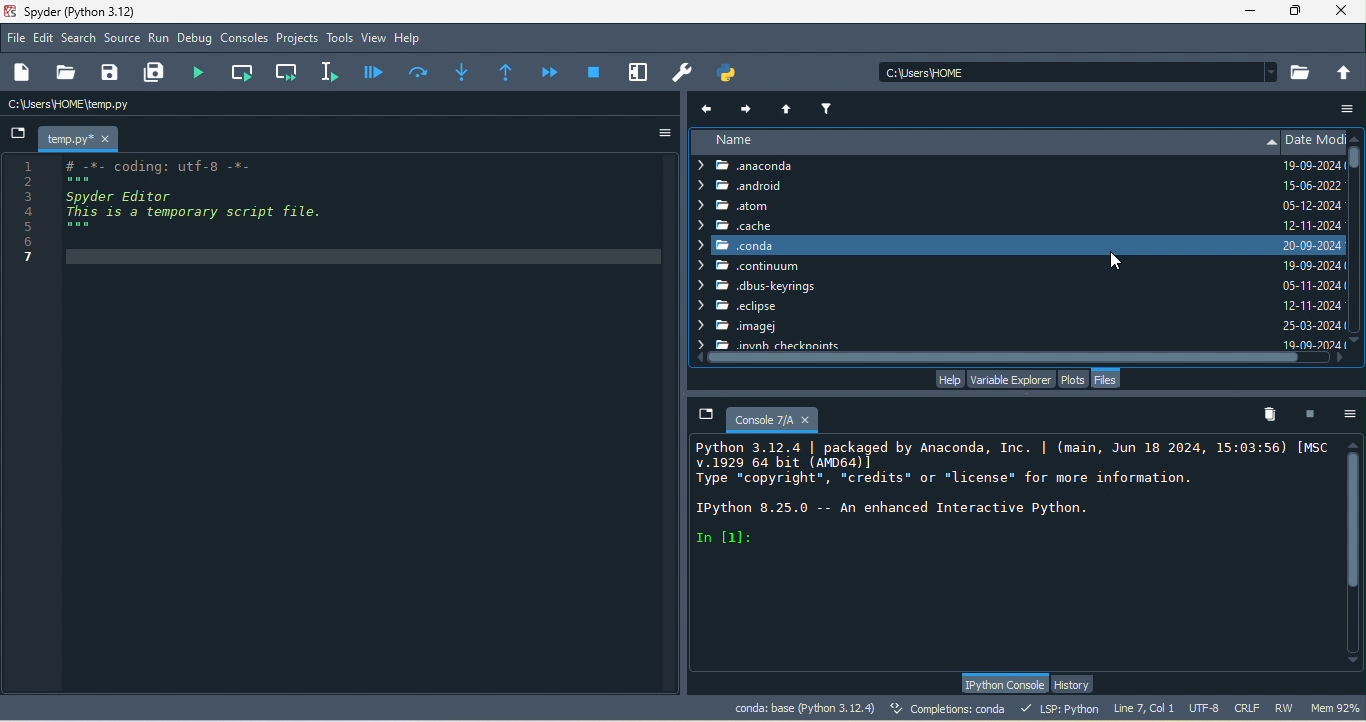 The width and height of the screenshot is (1366, 722). I want to click on scroll up, so click(1357, 136).